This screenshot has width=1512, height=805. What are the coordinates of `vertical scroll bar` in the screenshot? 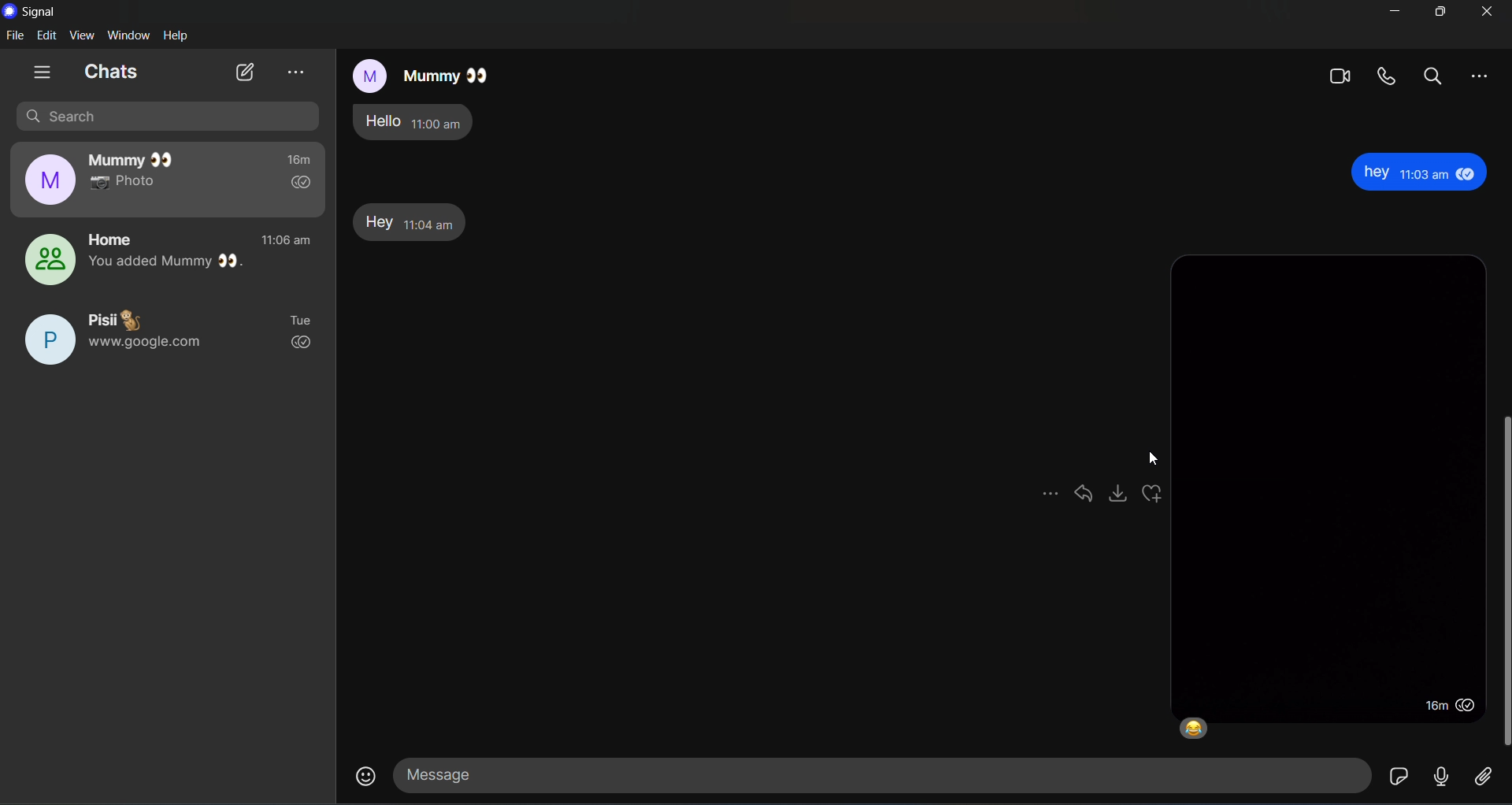 It's located at (1503, 581).